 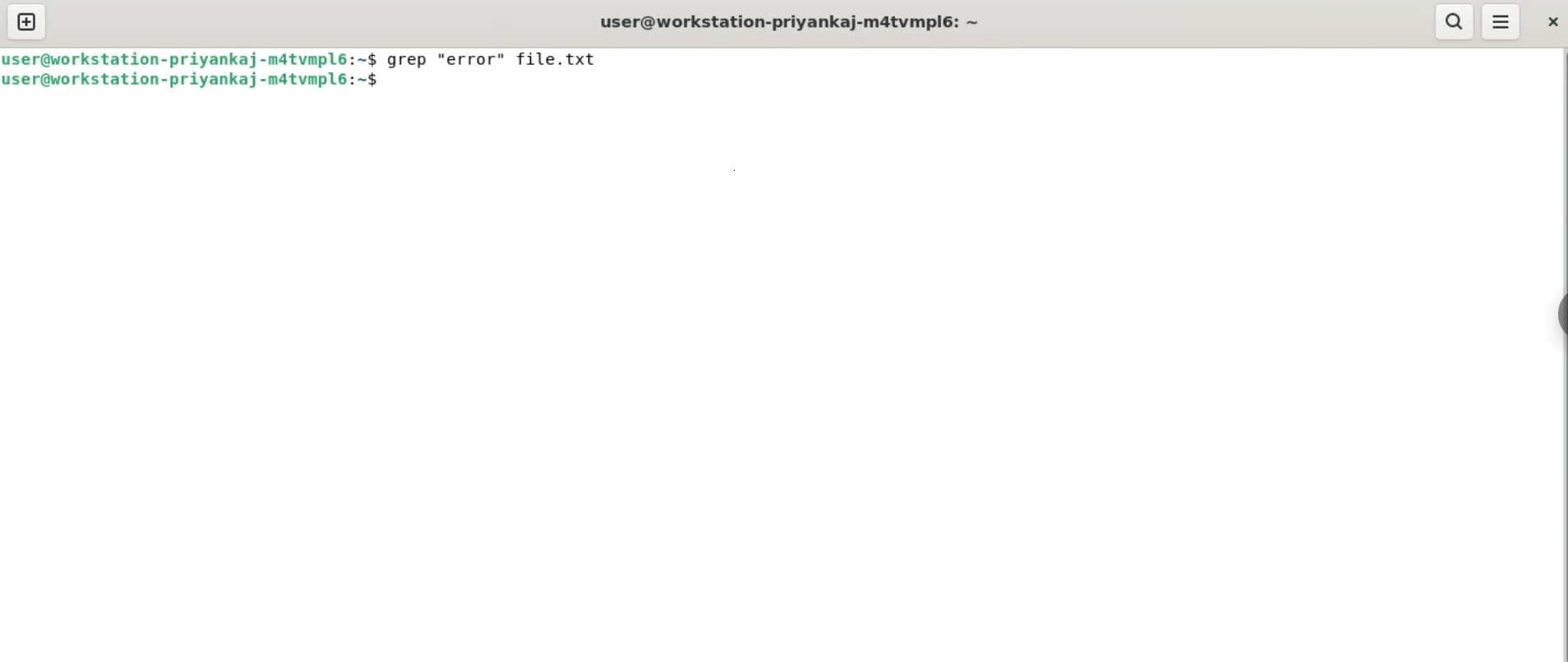 I want to click on search, so click(x=1454, y=22).